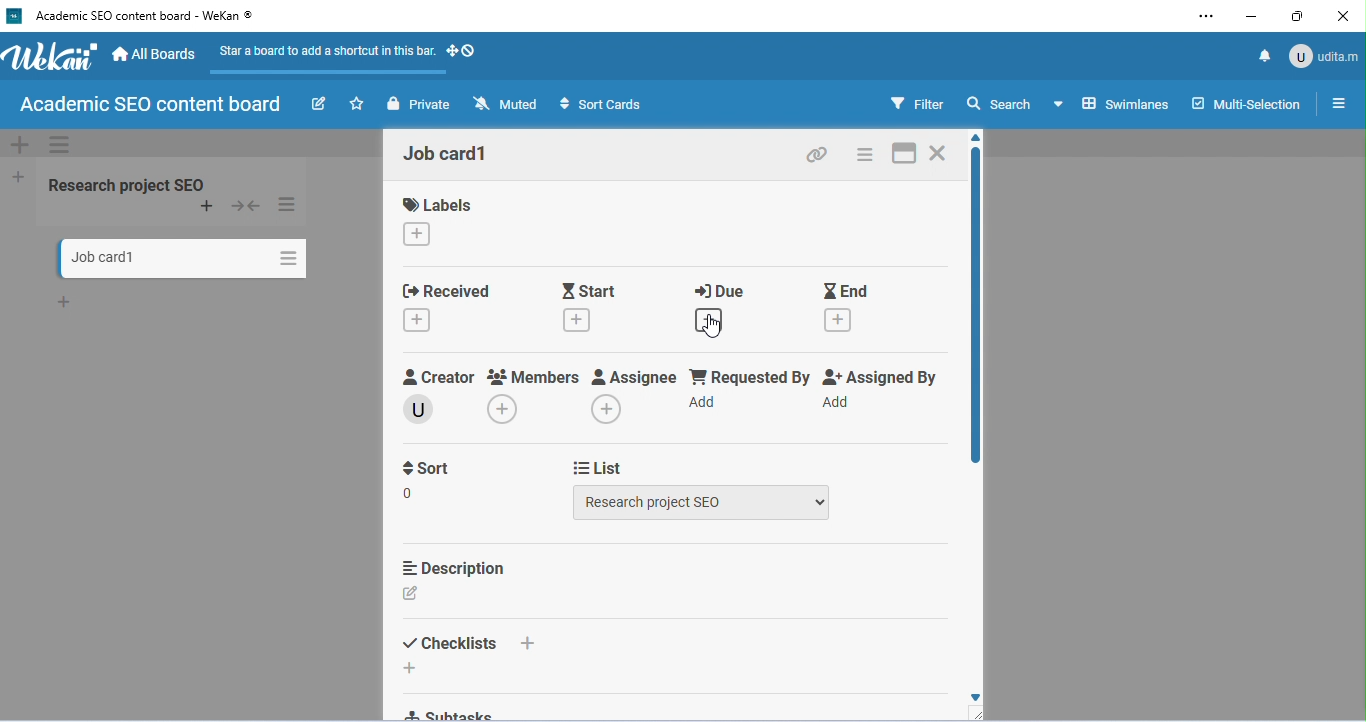 The height and width of the screenshot is (722, 1366). I want to click on received, so click(452, 290).